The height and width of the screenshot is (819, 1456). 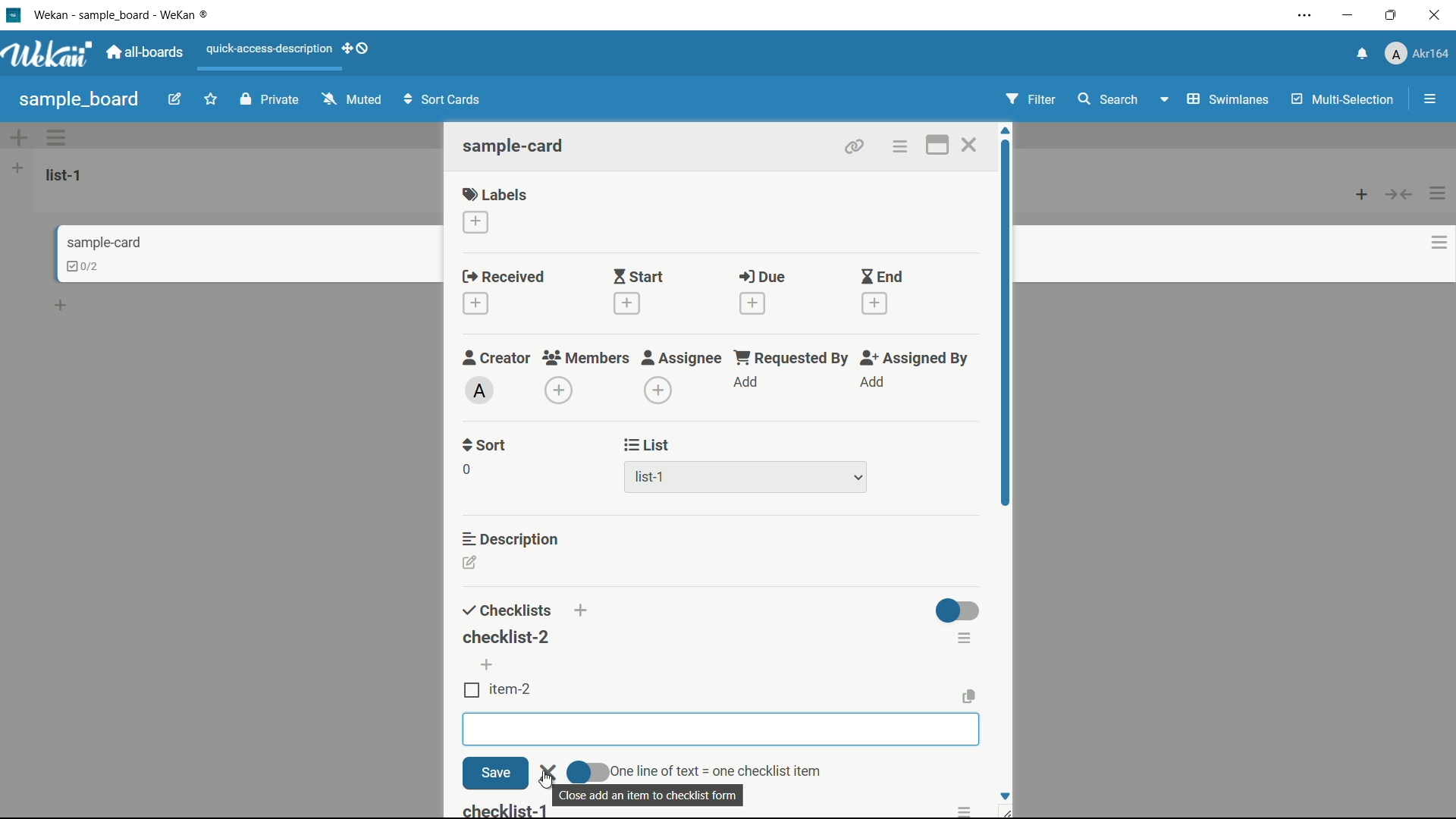 I want to click on checklist, so click(x=504, y=611).